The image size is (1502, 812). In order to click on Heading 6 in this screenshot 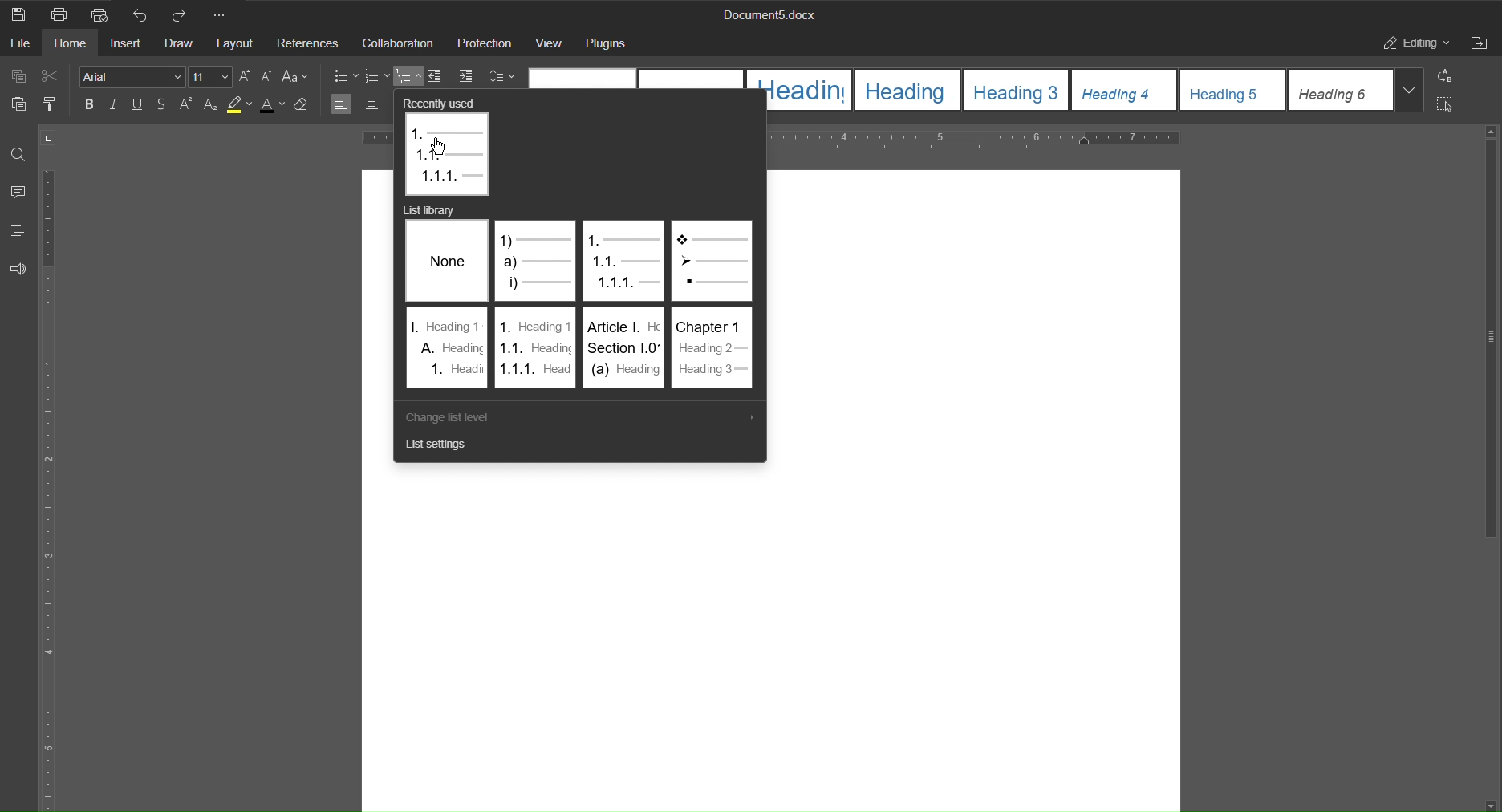, I will do `click(1341, 91)`.